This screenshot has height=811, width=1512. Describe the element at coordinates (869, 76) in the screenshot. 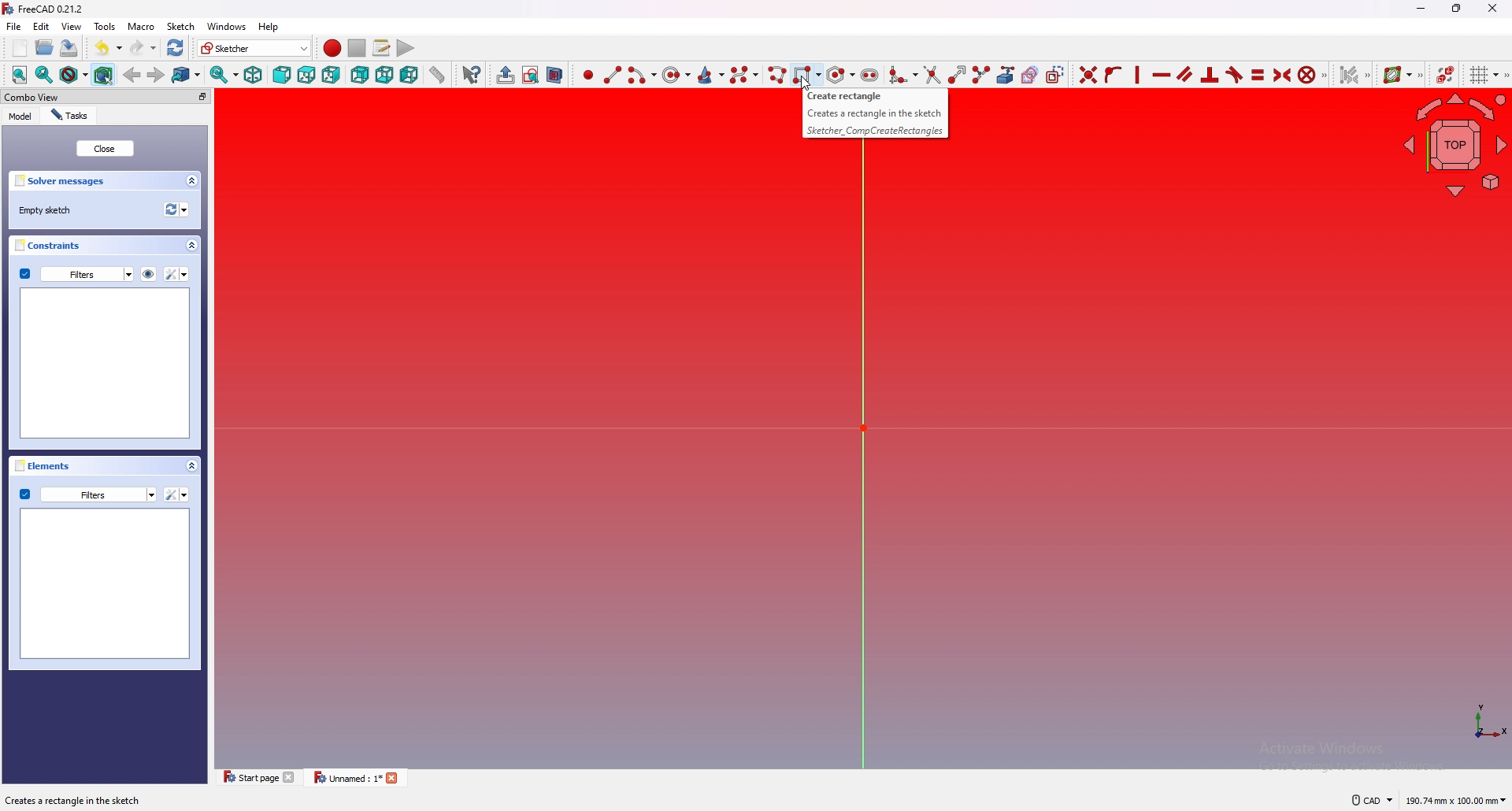

I see `create slot` at that location.